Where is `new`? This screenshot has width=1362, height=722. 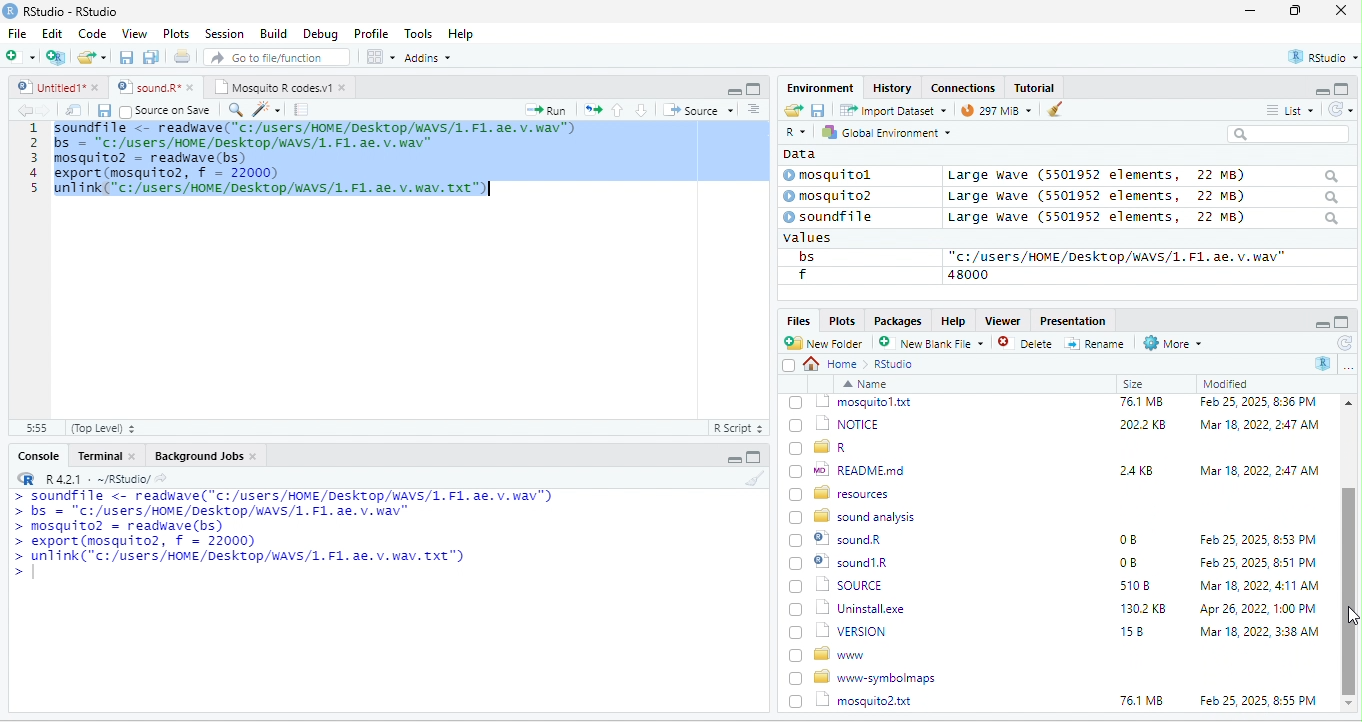 new is located at coordinates (20, 55).